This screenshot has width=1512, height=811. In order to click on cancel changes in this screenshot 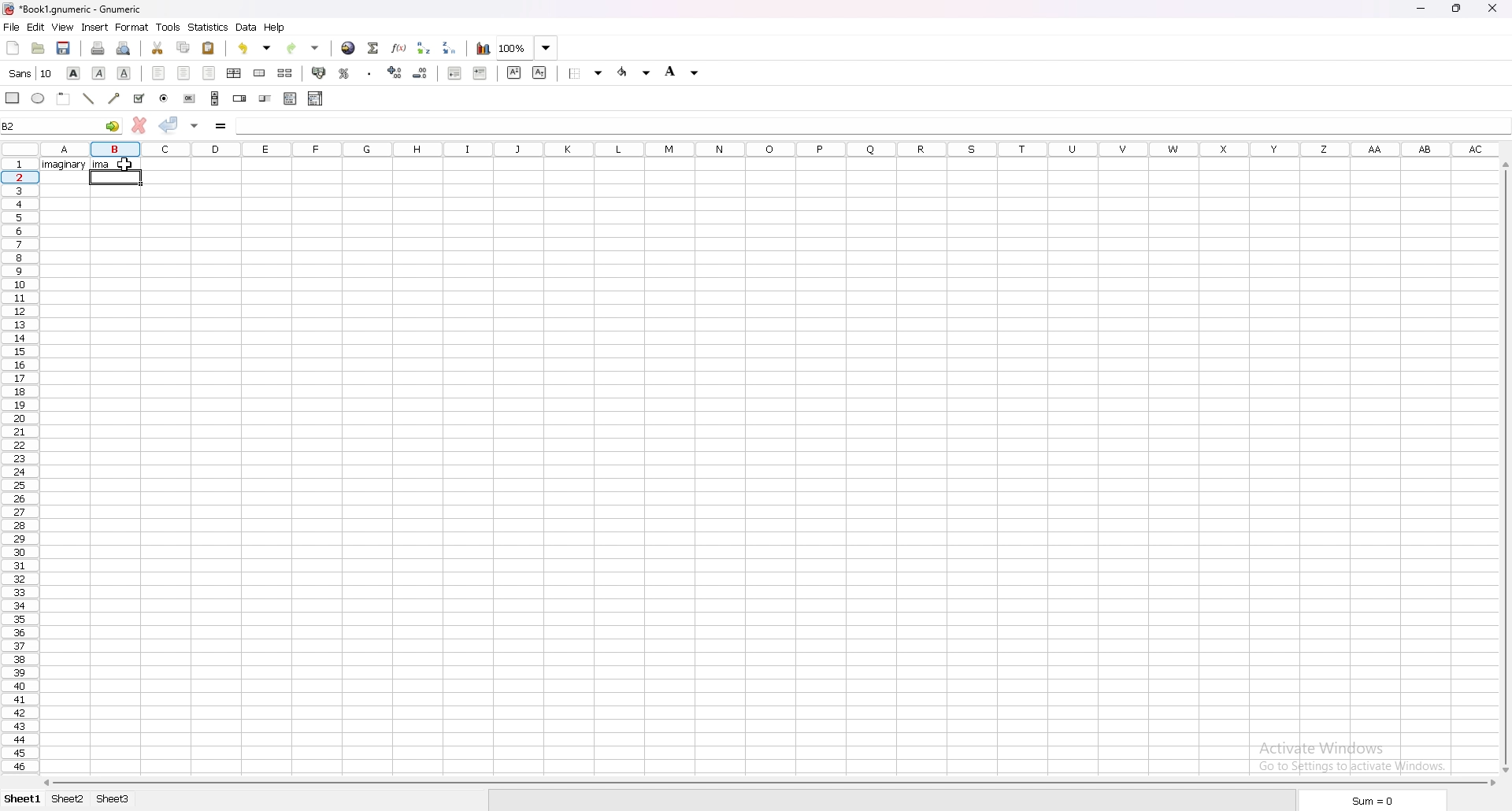, I will do `click(139, 125)`.